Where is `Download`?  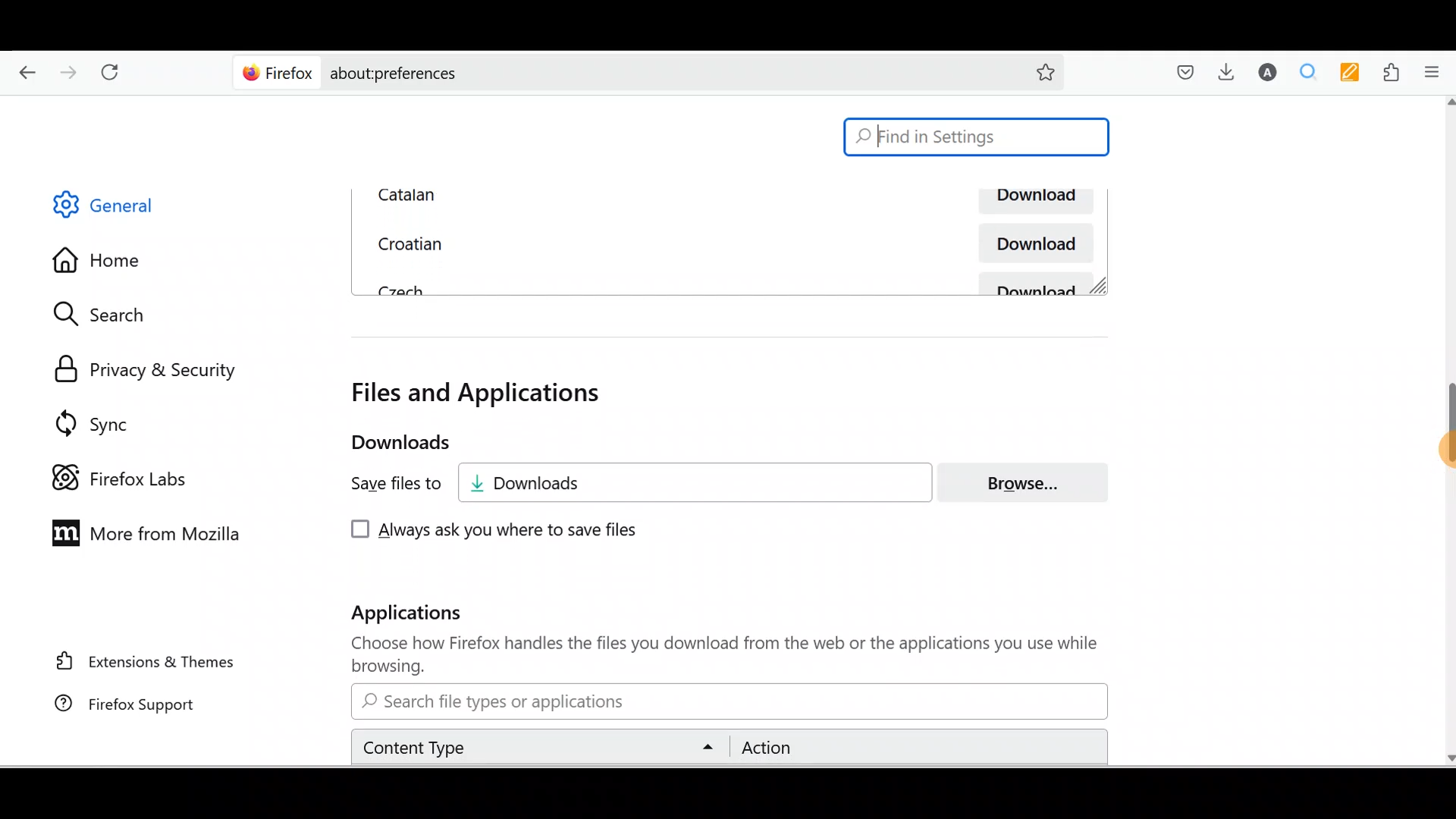
Download is located at coordinates (1032, 202).